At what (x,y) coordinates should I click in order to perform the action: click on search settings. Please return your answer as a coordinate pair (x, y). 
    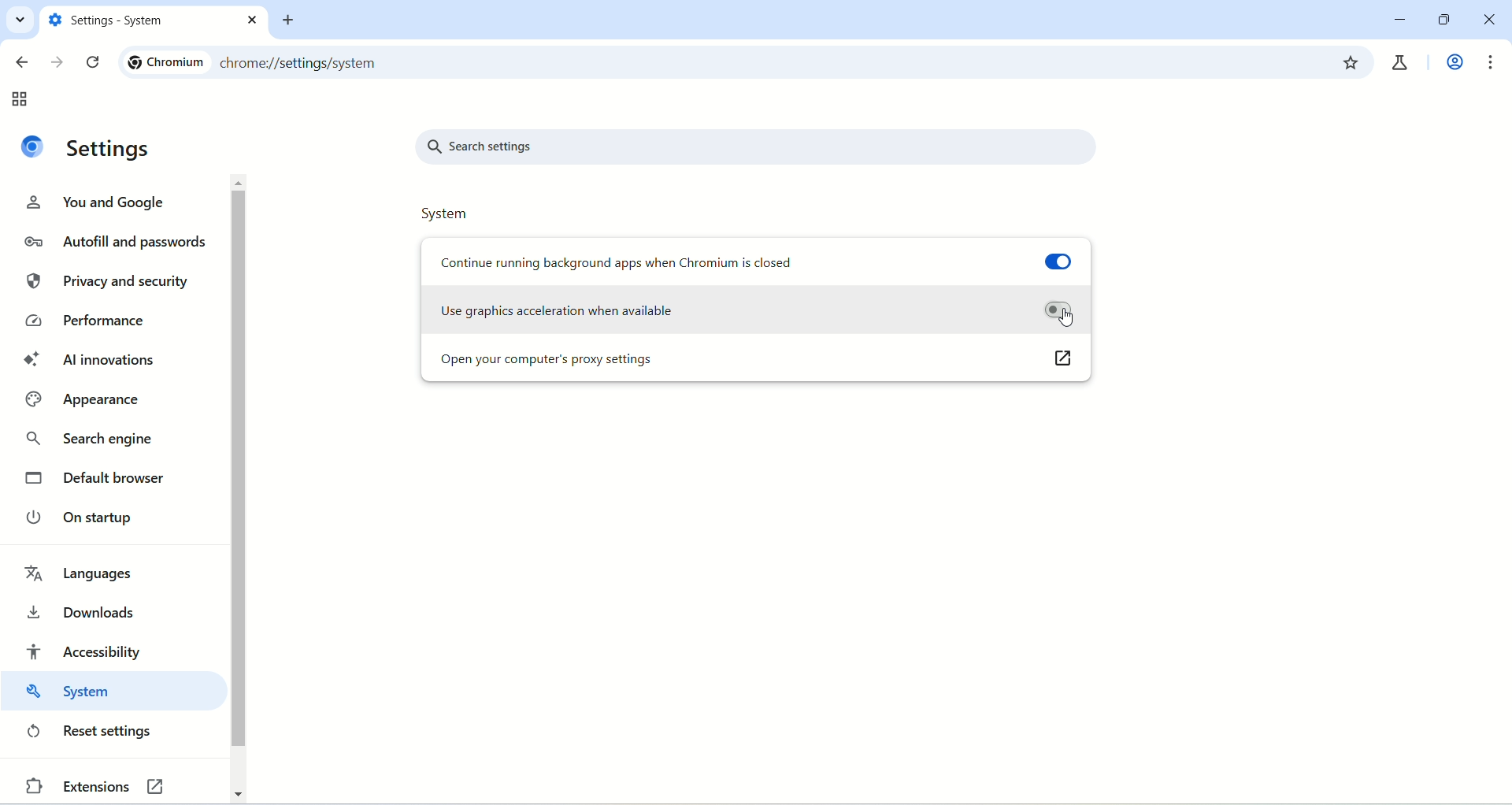
    Looking at the image, I should click on (762, 148).